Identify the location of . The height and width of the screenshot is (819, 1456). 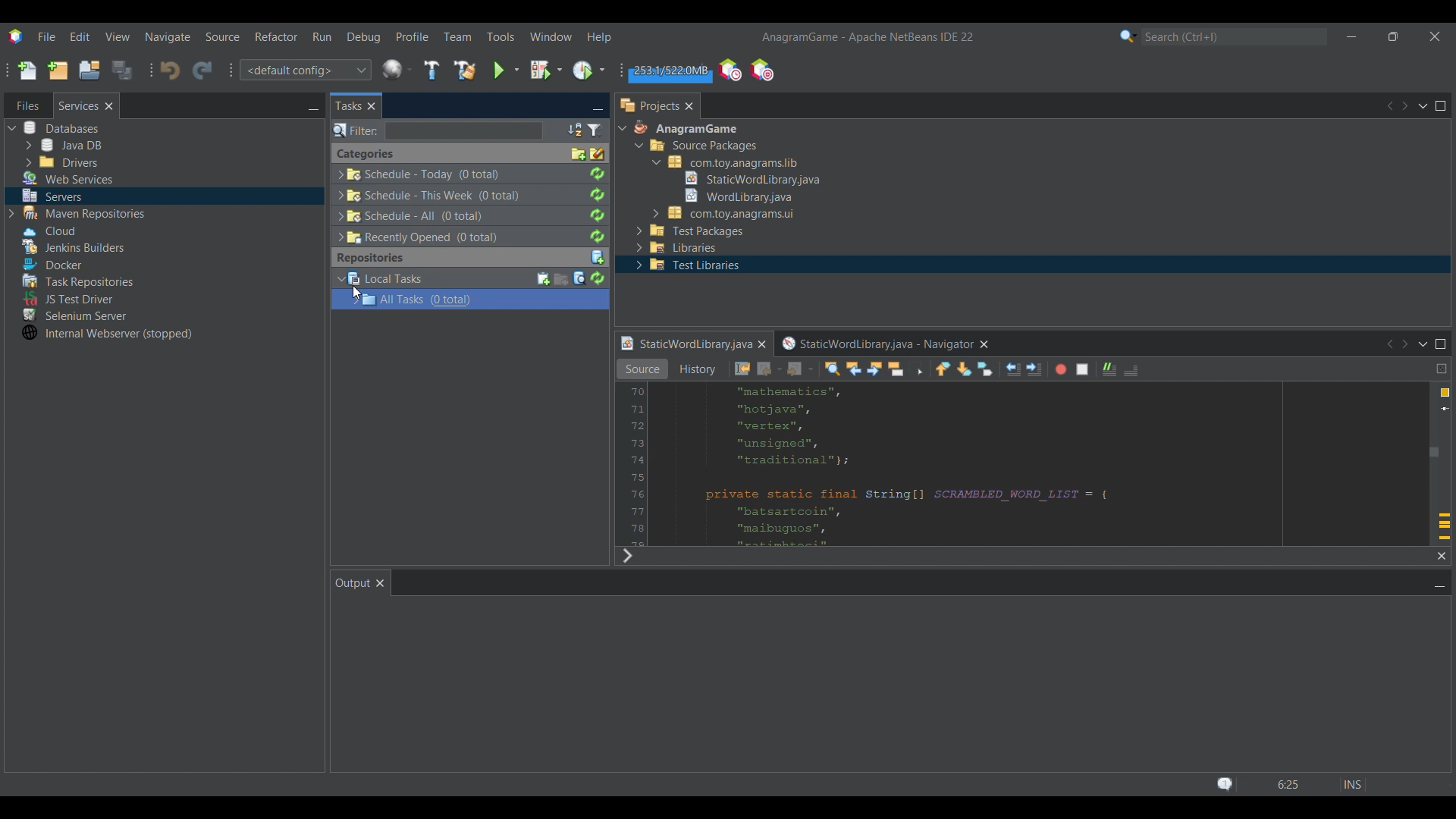
(692, 231).